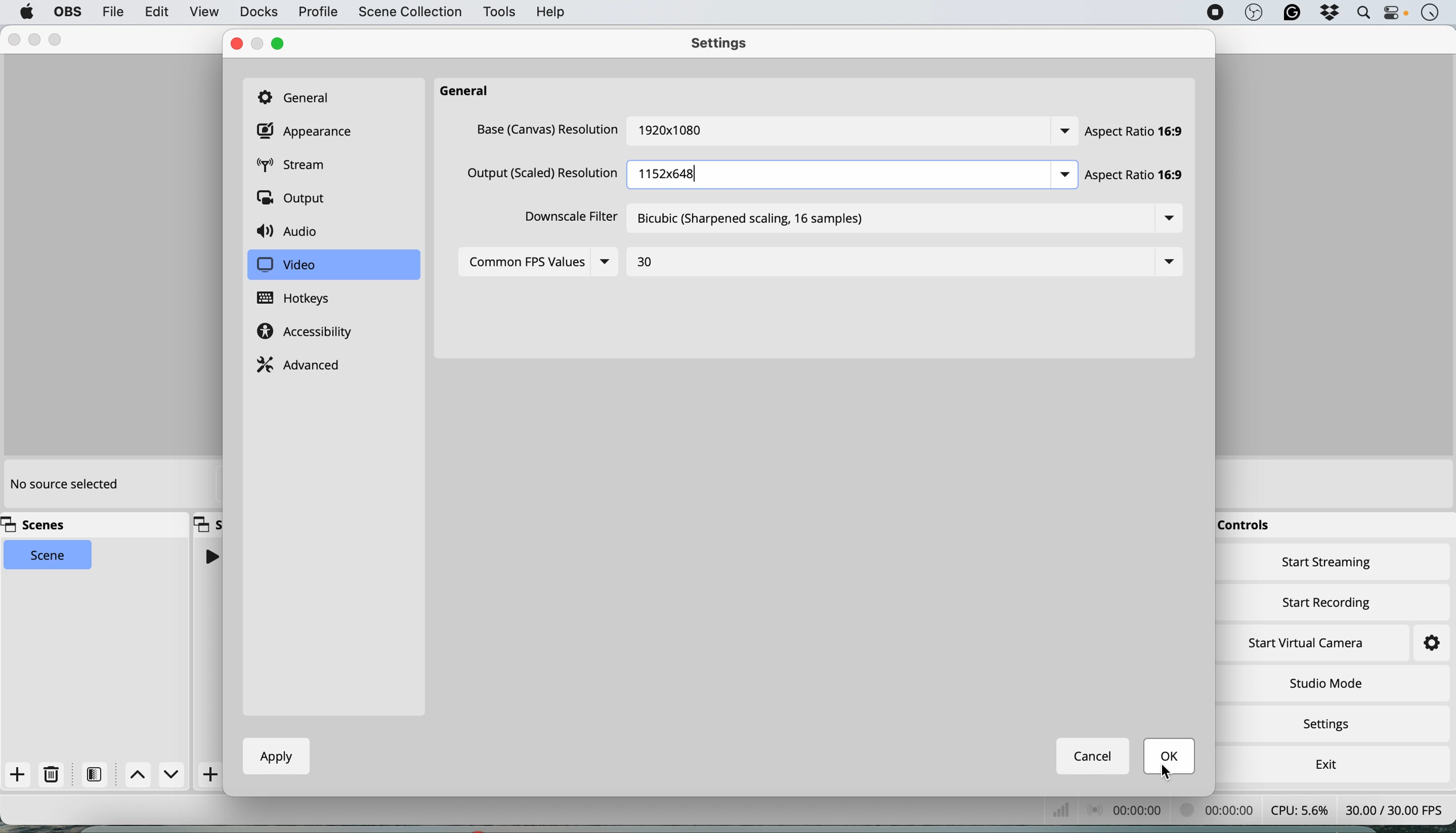  I want to click on view, so click(204, 13).